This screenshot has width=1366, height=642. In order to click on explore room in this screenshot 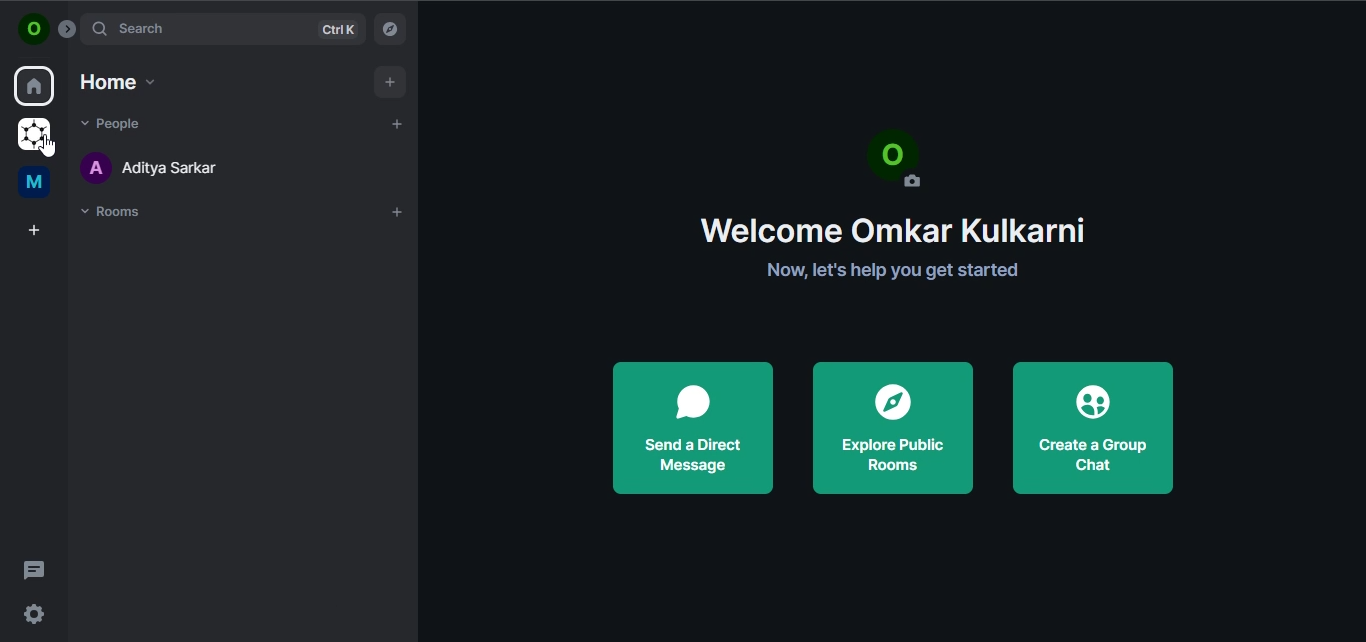, I will do `click(392, 29)`.